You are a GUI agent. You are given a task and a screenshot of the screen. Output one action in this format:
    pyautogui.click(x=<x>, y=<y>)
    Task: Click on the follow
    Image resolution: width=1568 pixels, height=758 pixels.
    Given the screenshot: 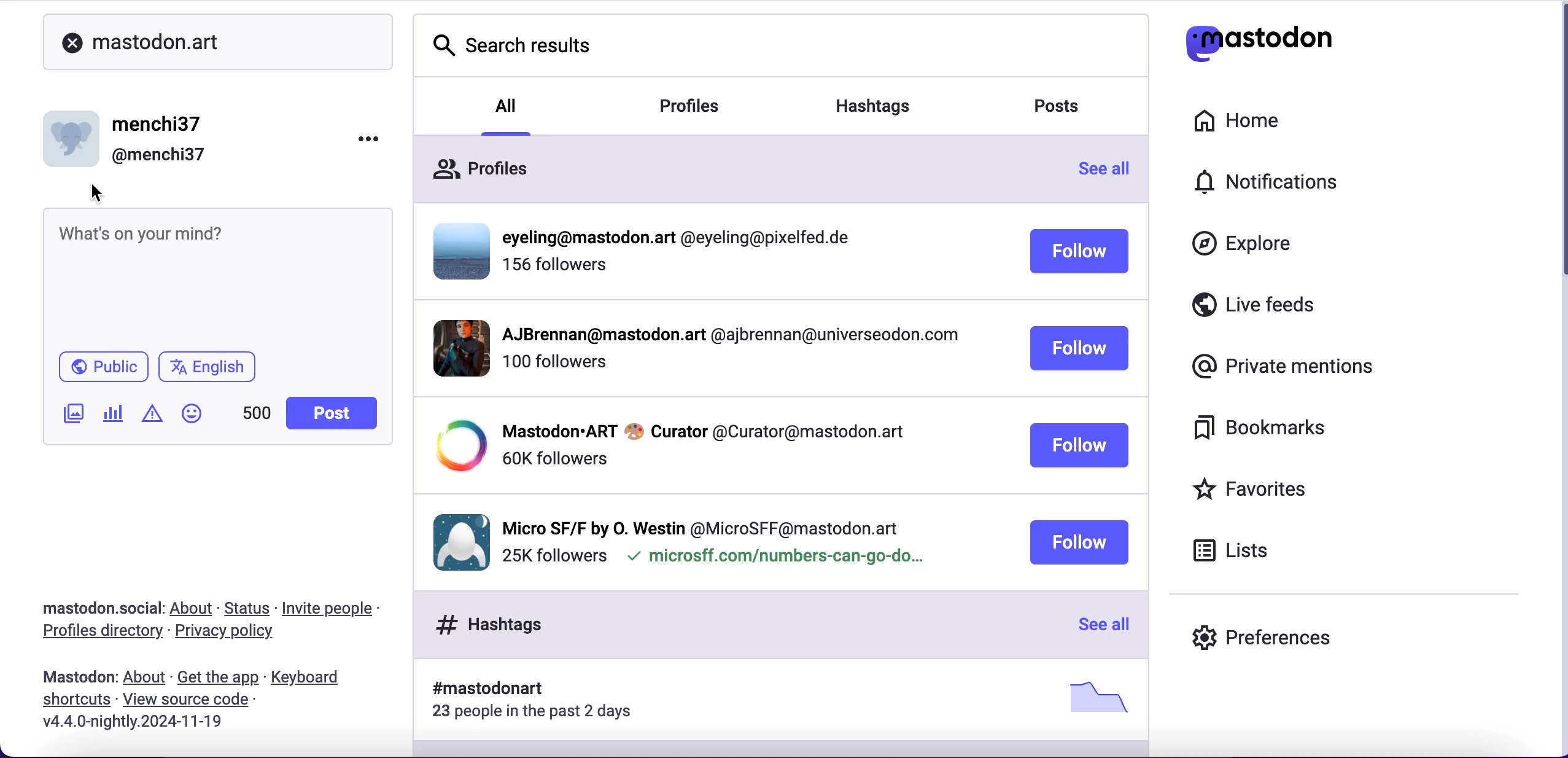 What is the action you would take?
    pyautogui.click(x=1080, y=445)
    